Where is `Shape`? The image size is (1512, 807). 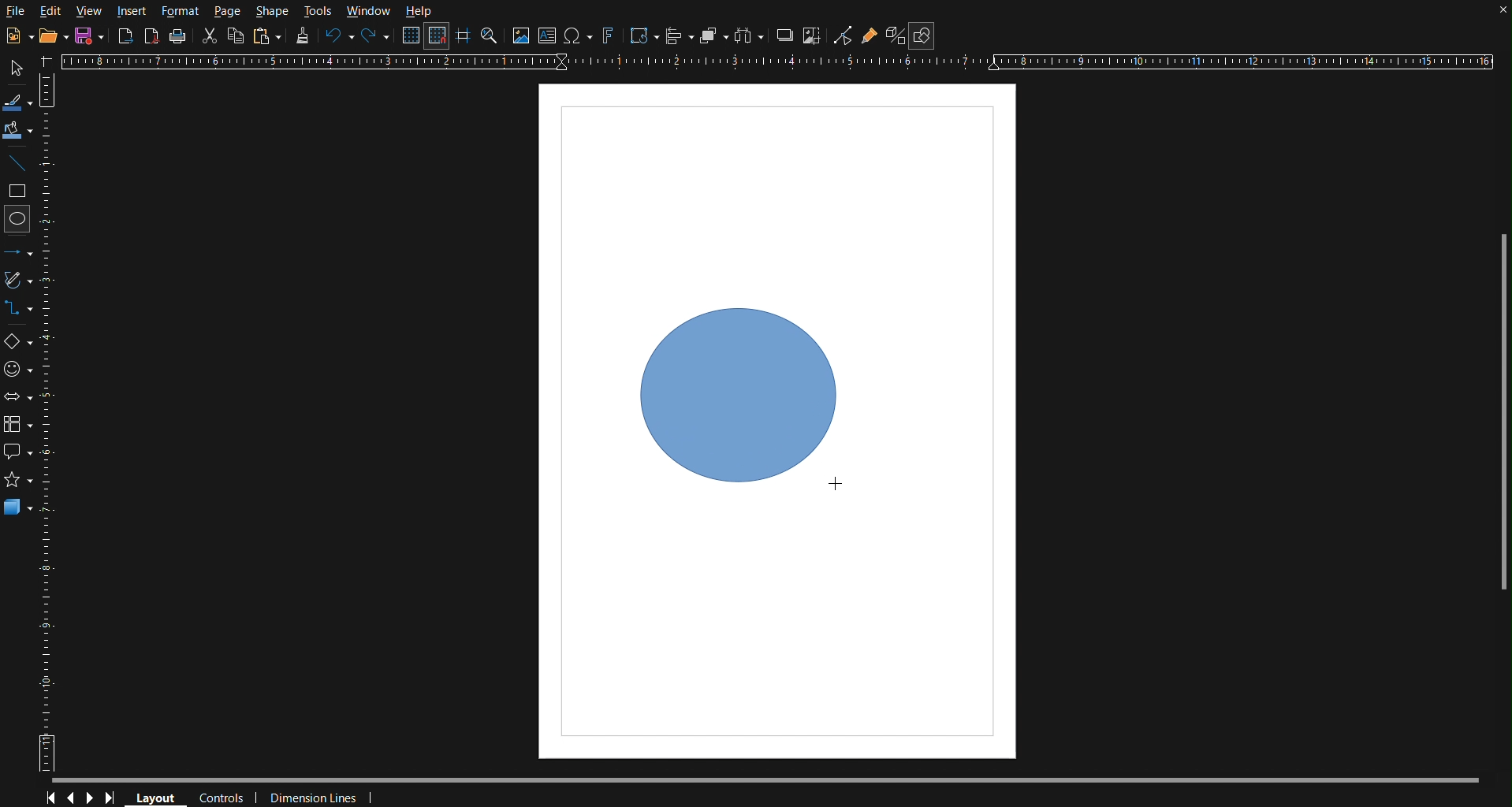
Shape is located at coordinates (272, 12).